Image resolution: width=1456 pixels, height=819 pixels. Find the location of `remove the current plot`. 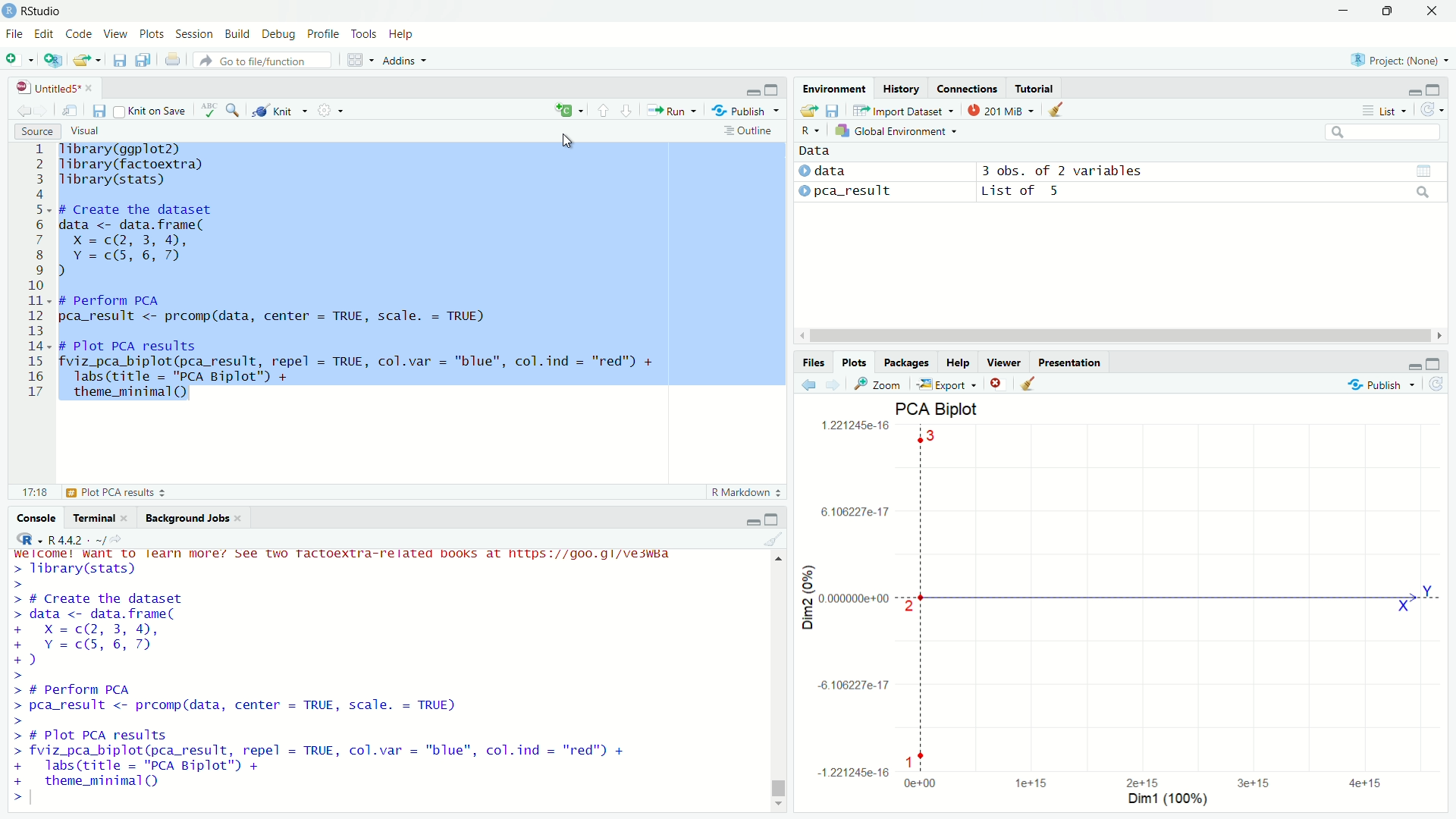

remove the current plot is located at coordinates (996, 383).